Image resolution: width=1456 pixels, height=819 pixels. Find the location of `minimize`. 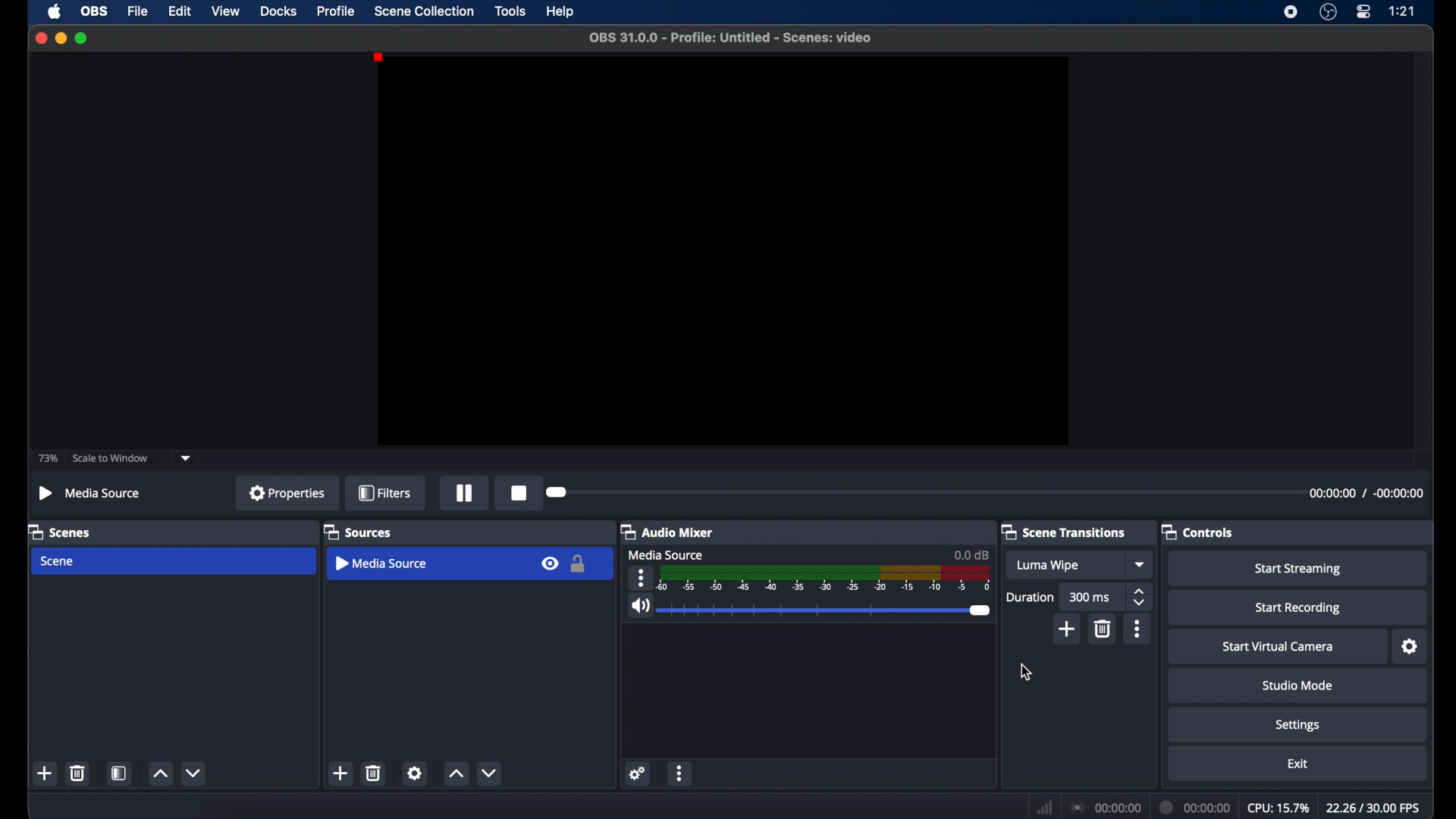

minimize is located at coordinates (60, 38).